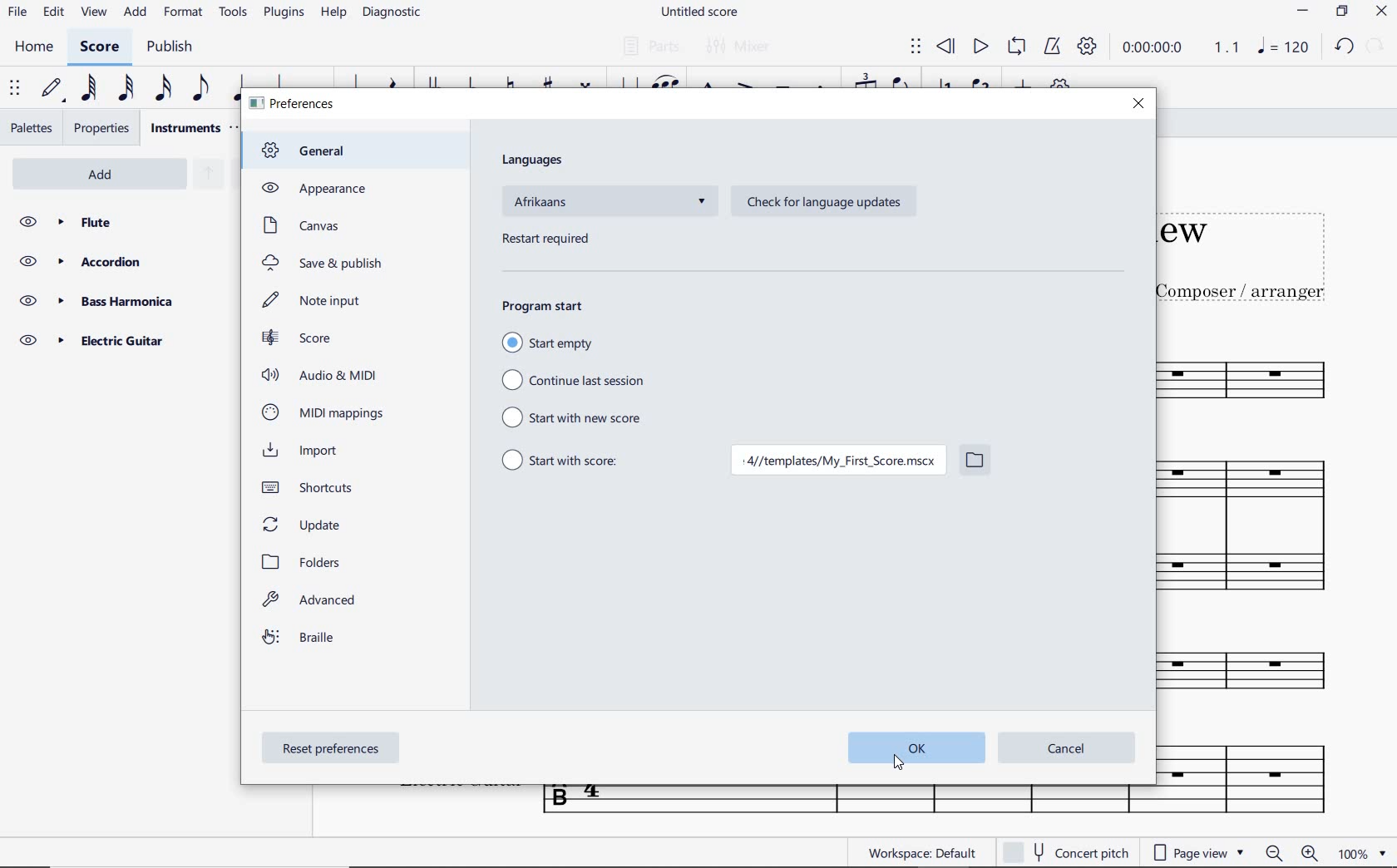 The width and height of the screenshot is (1397, 868). Describe the element at coordinates (698, 12) in the screenshot. I see `file name` at that location.